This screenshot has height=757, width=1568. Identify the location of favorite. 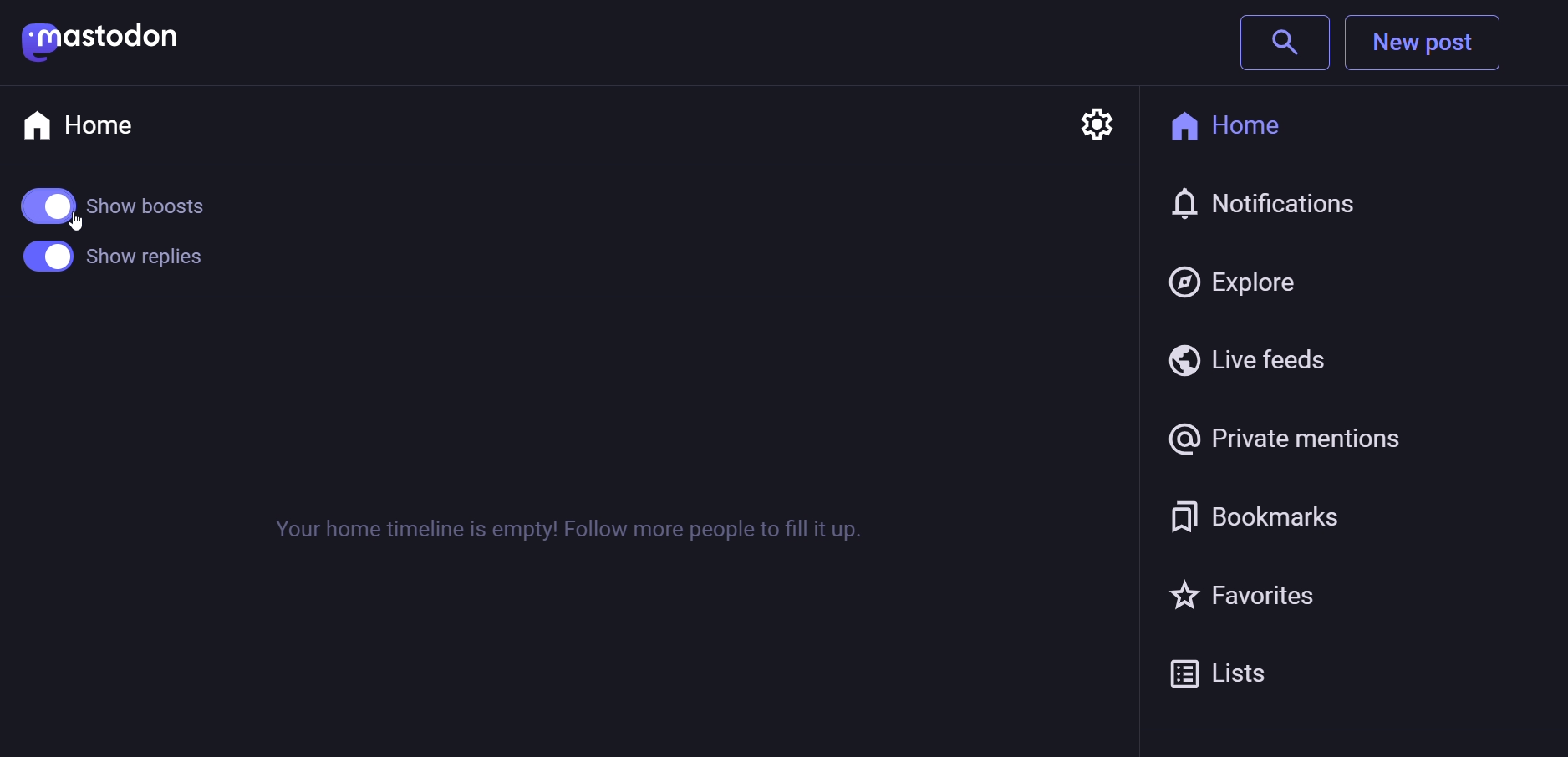
(1252, 592).